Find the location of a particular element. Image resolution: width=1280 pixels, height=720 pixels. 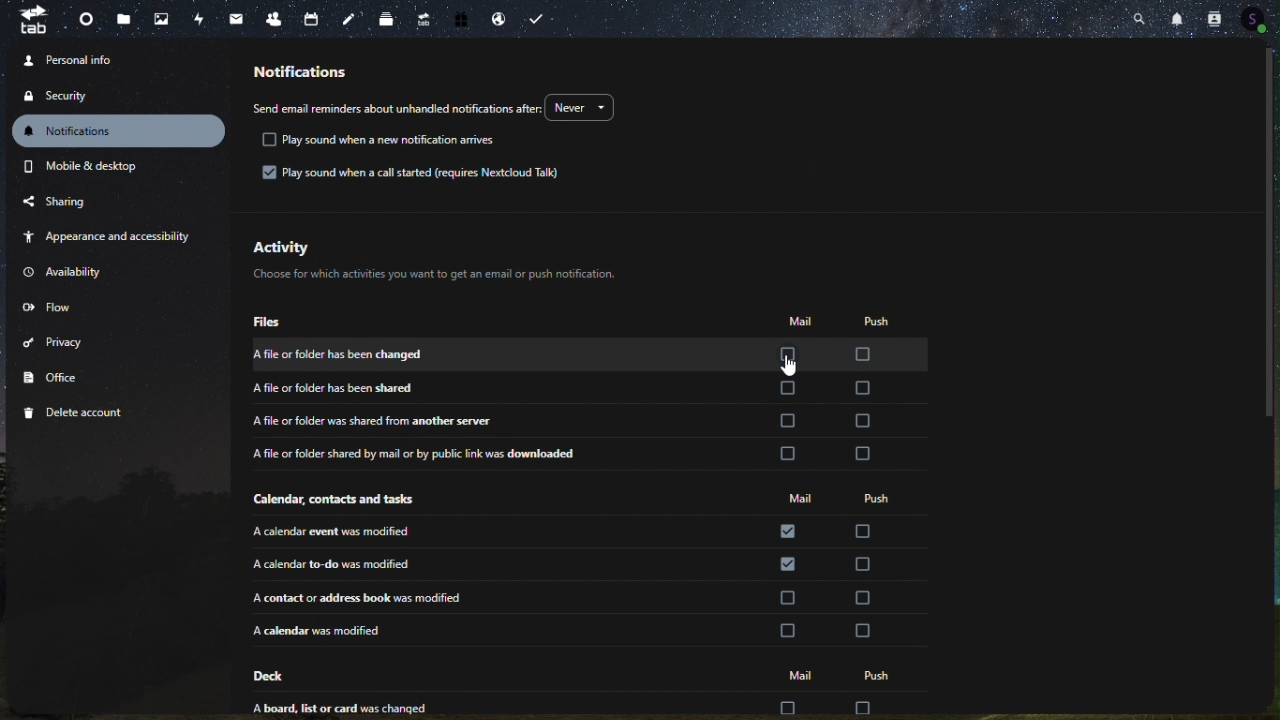

Check box is located at coordinates (863, 354).